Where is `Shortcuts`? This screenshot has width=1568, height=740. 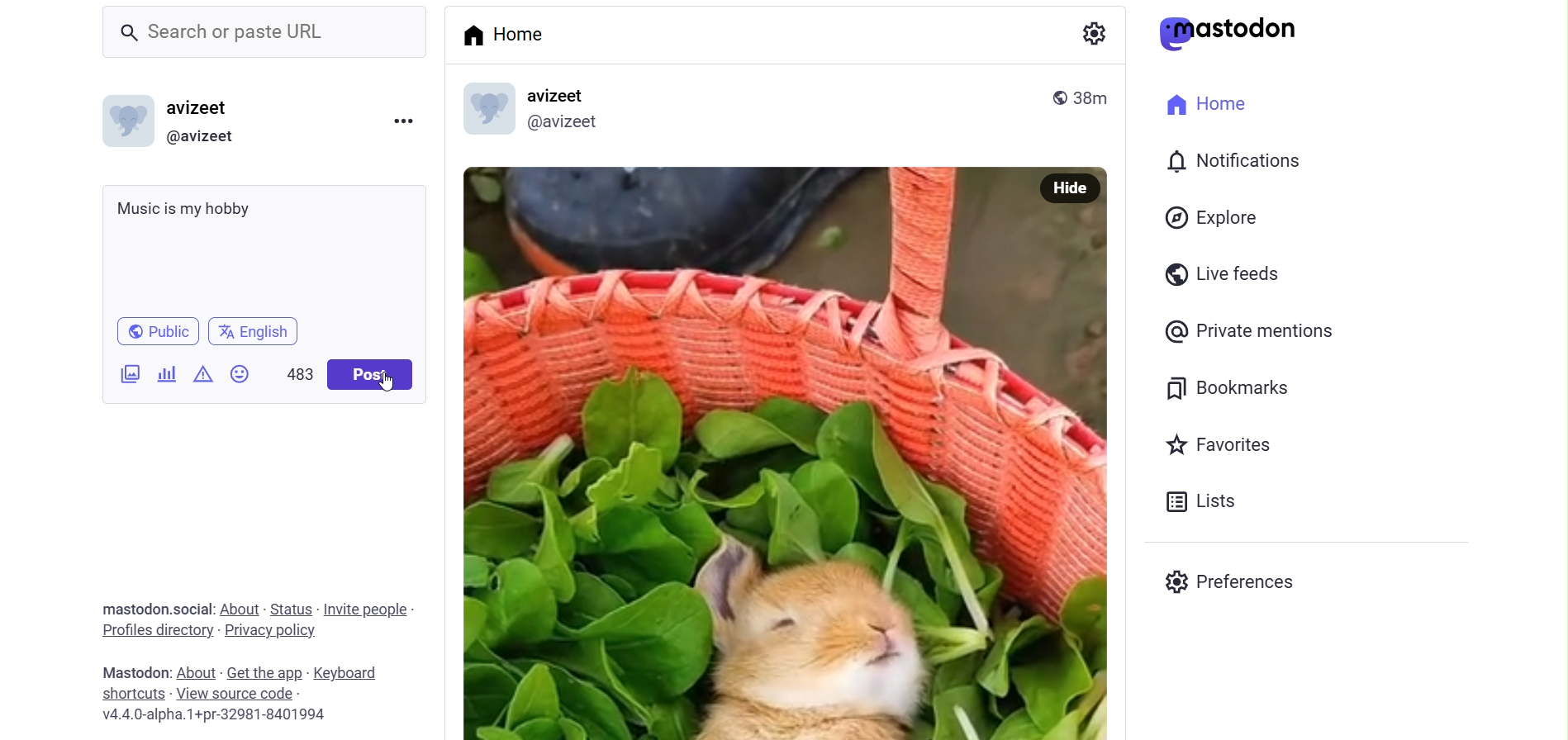
Shortcuts is located at coordinates (132, 692).